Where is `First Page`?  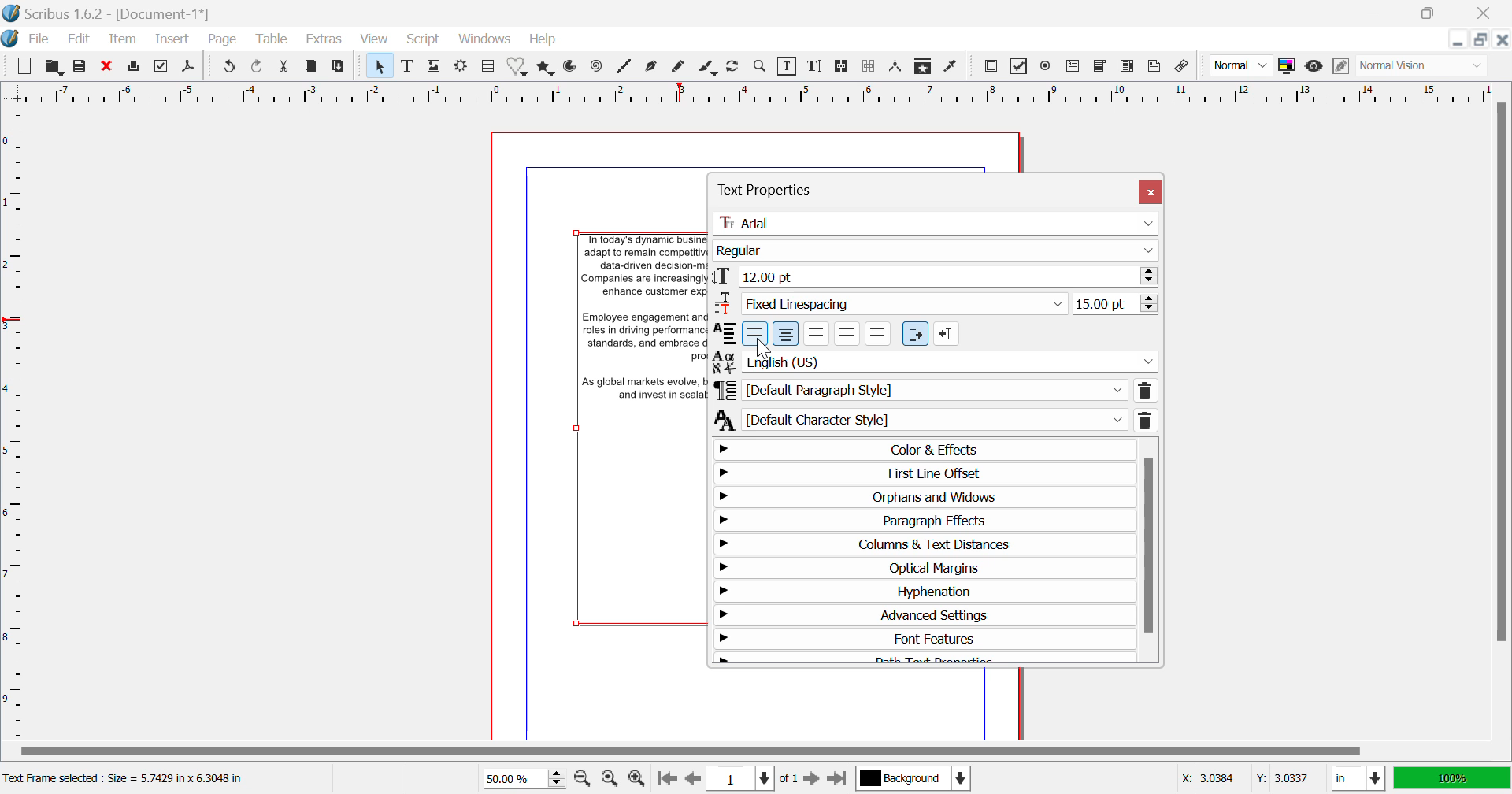 First Page is located at coordinates (666, 779).